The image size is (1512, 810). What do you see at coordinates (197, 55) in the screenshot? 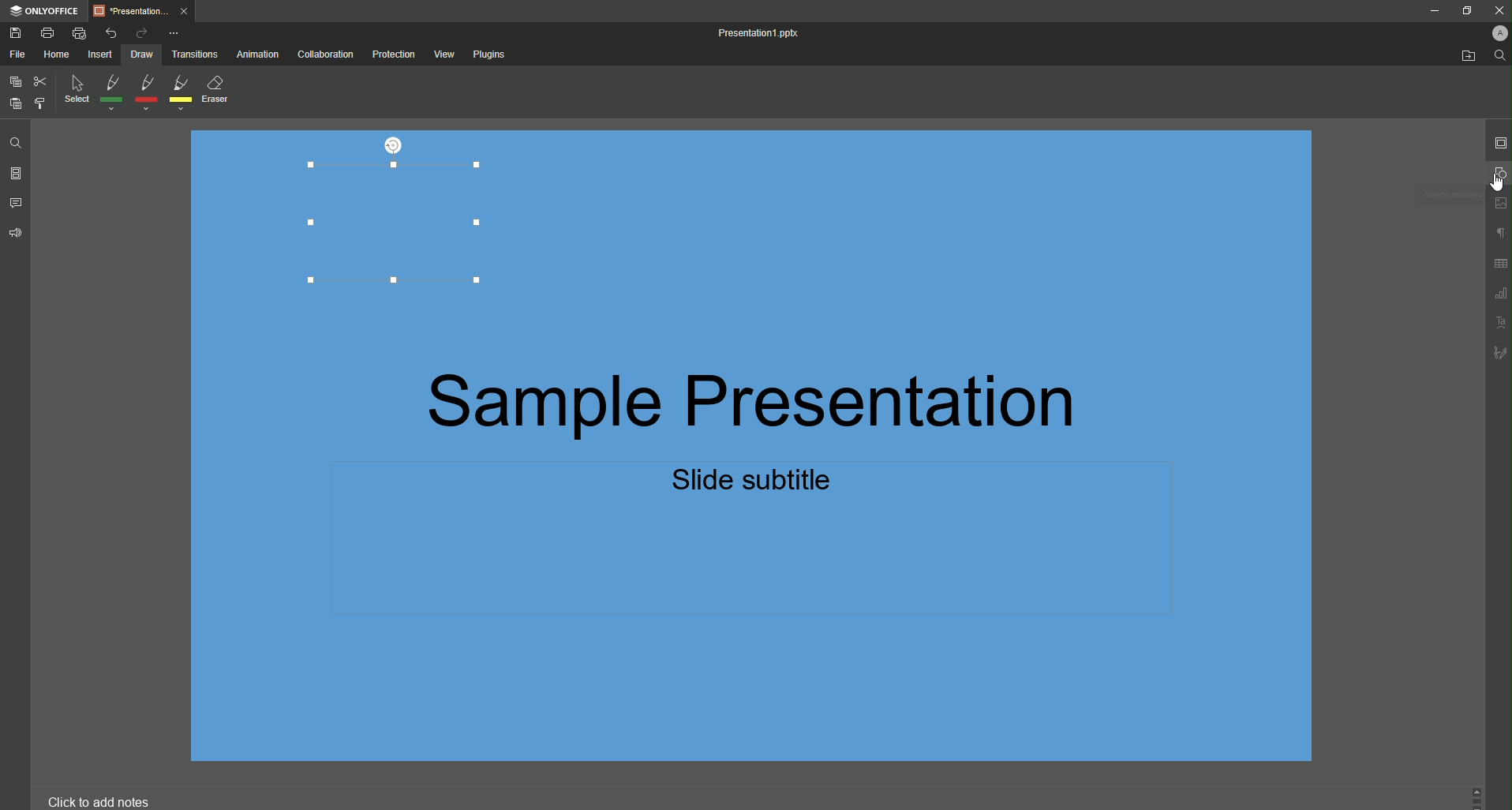
I see `Transitions` at bounding box center [197, 55].